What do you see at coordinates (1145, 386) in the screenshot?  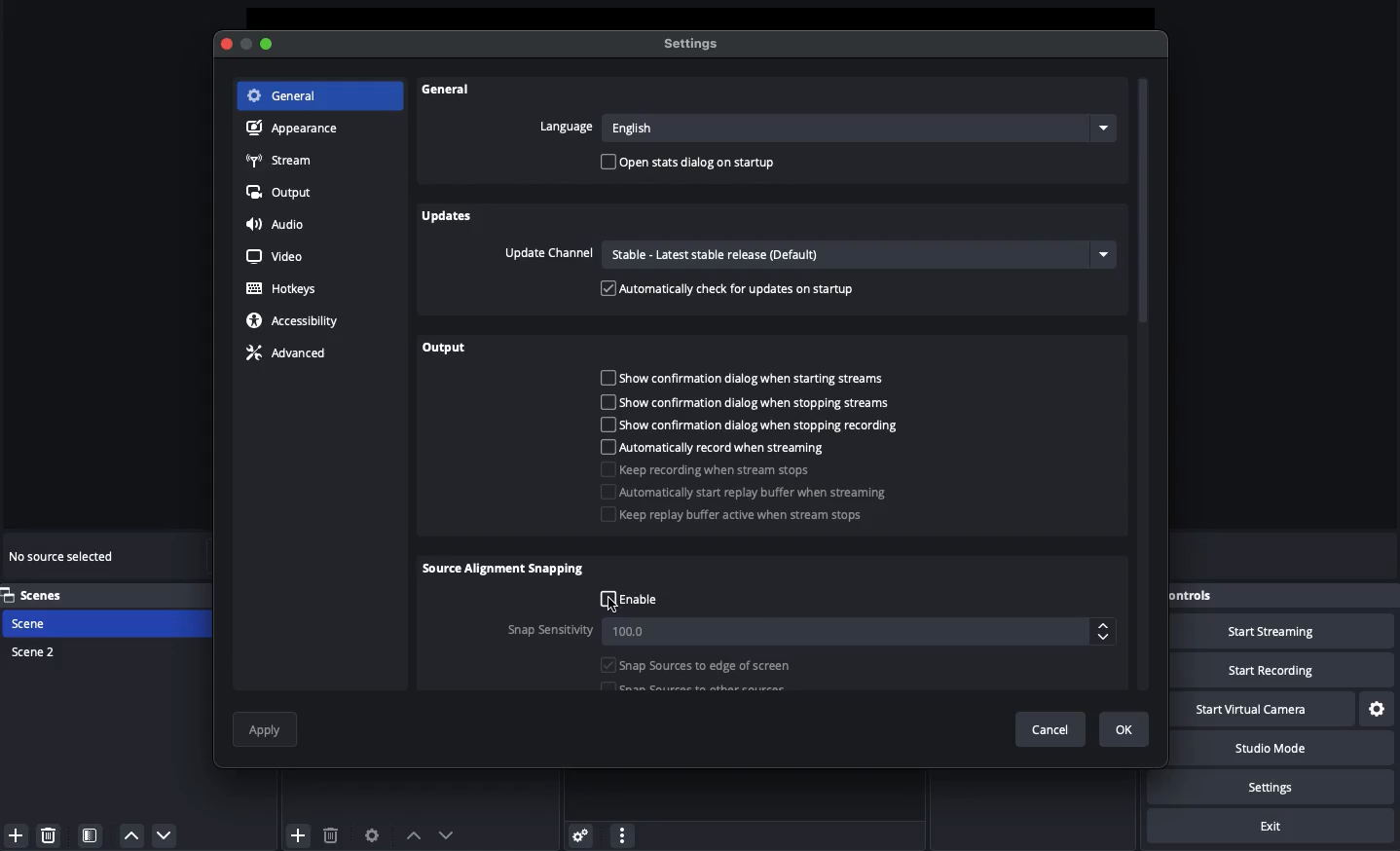 I see `Scroll` at bounding box center [1145, 386].